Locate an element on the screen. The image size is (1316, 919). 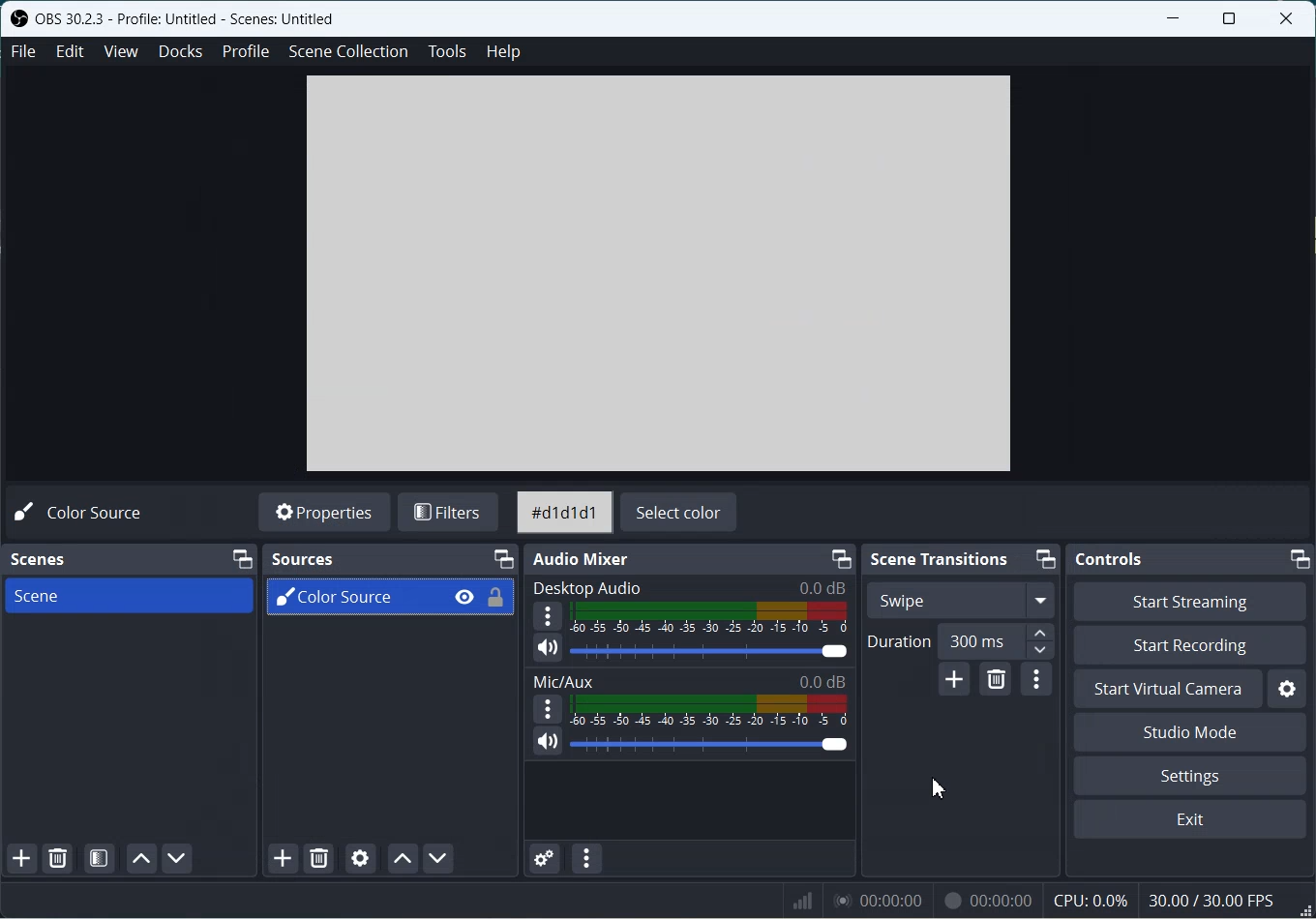
Start Recording is located at coordinates (1189, 645).